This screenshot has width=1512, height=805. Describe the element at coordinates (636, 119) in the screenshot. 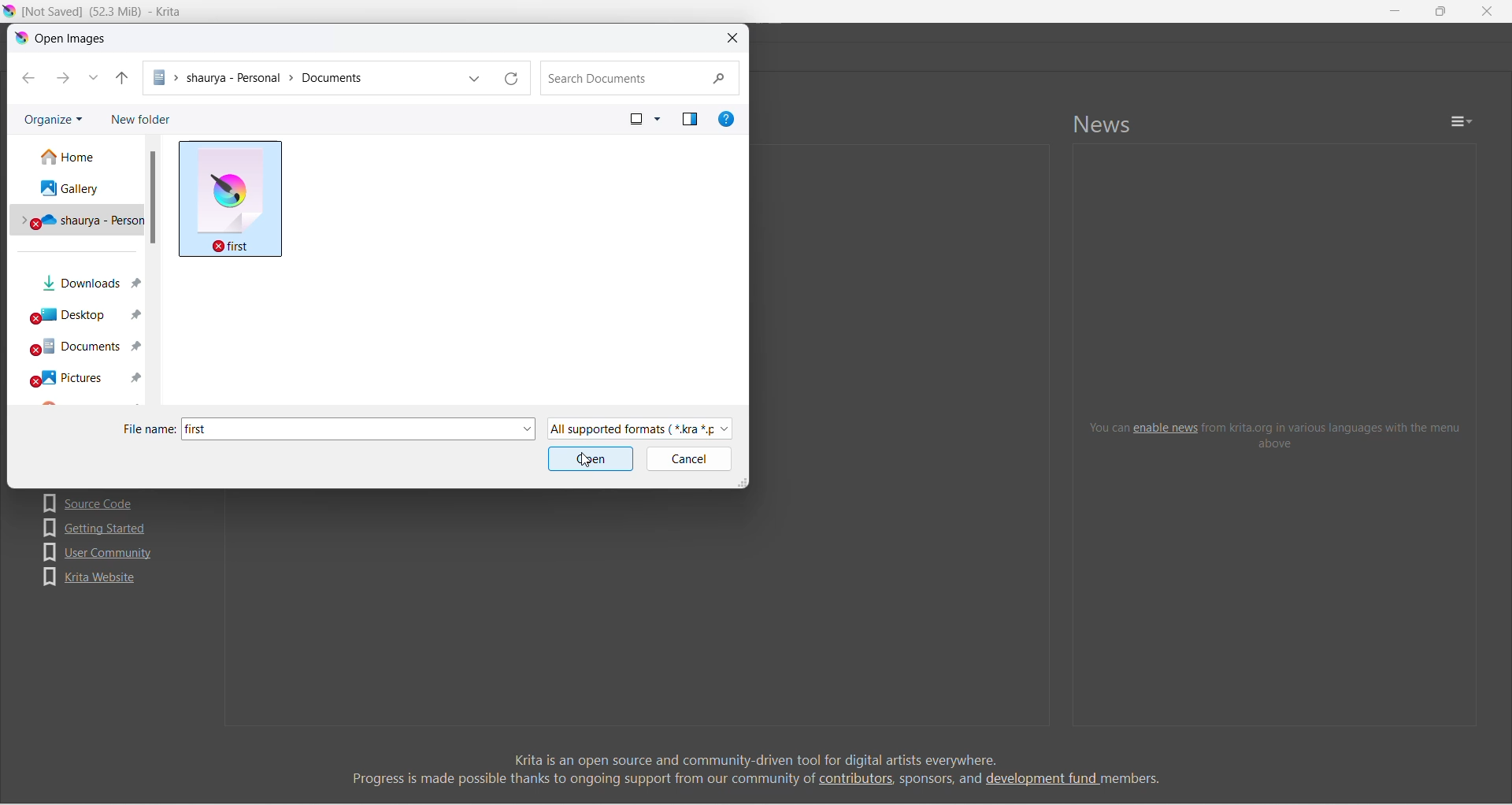

I see `change view` at that location.